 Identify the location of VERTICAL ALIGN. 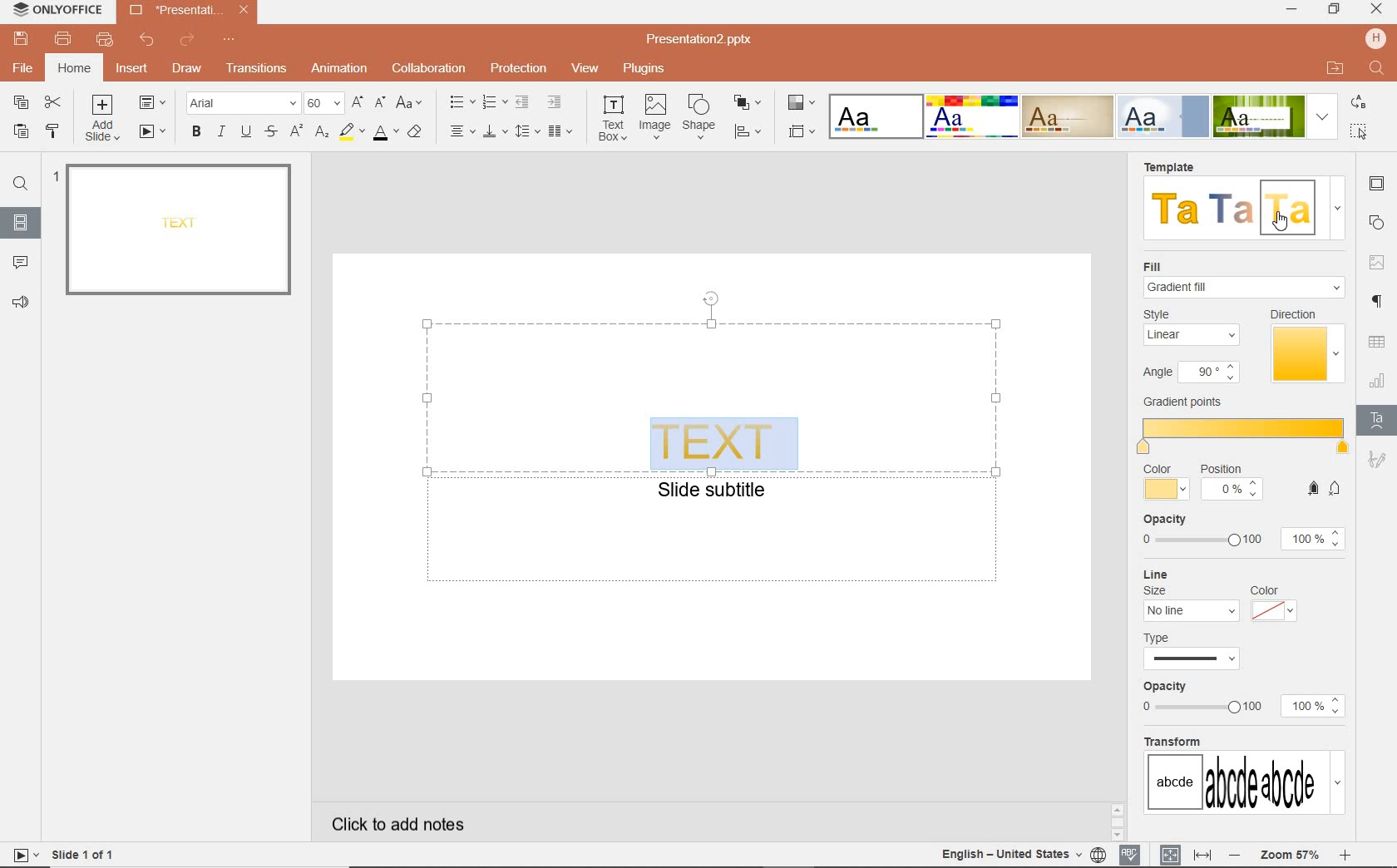
(495, 133).